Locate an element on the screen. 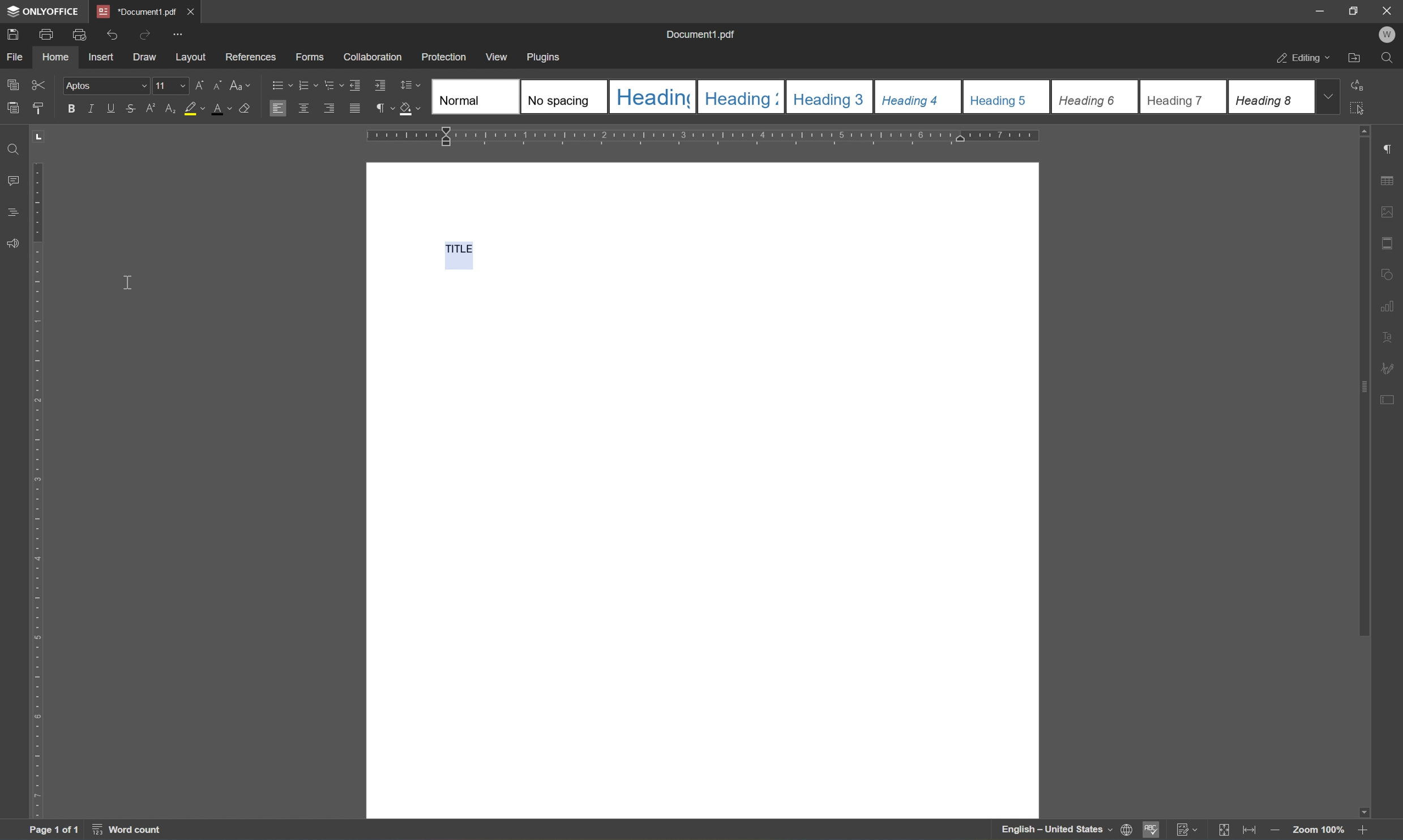 The height and width of the screenshot is (840, 1403). table settings is located at coordinates (1391, 180).